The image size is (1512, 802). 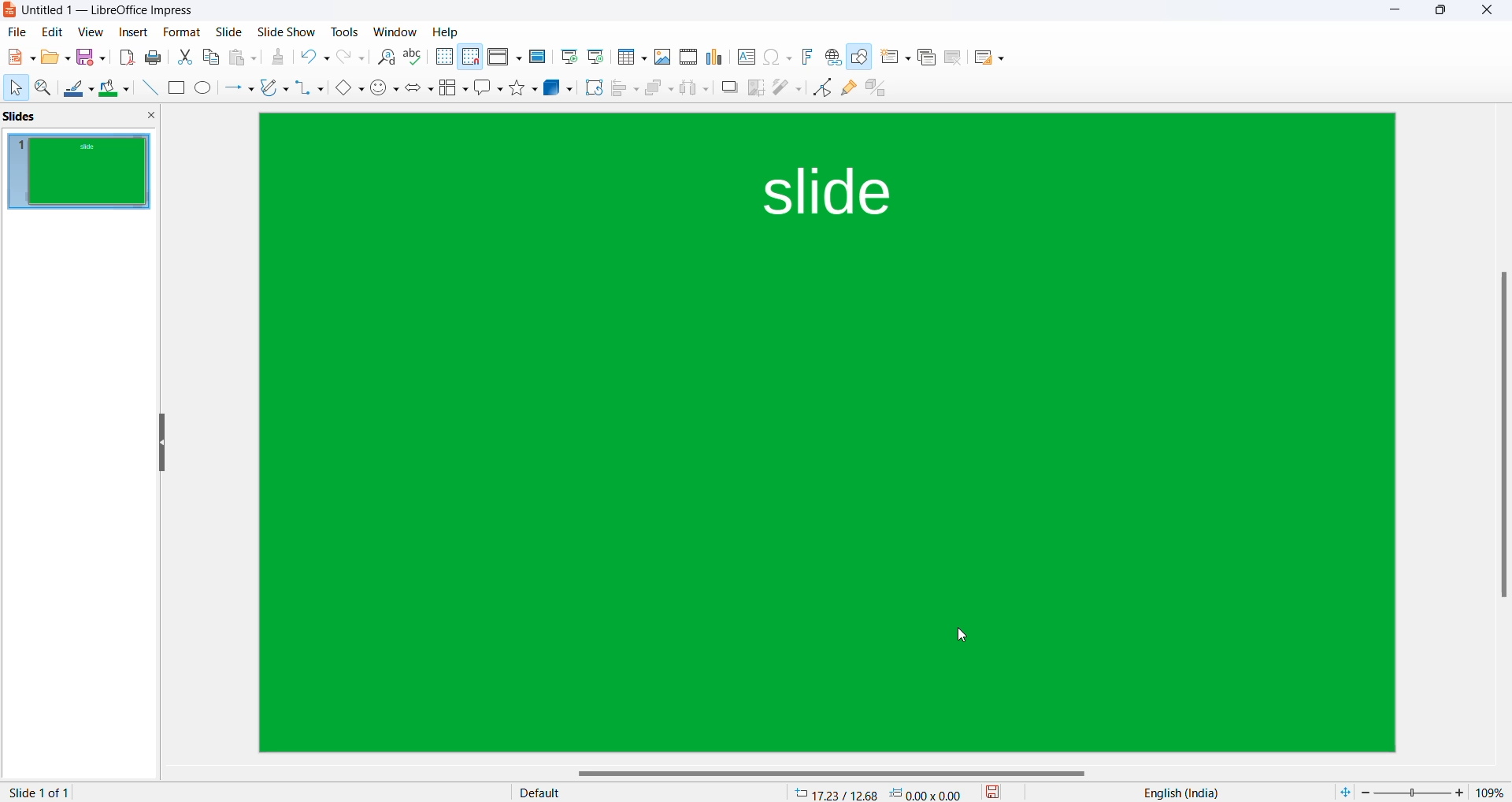 What do you see at coordinates (205, 89) in the screenshot?
I see `ellipse` at bounding box center [205, 89].